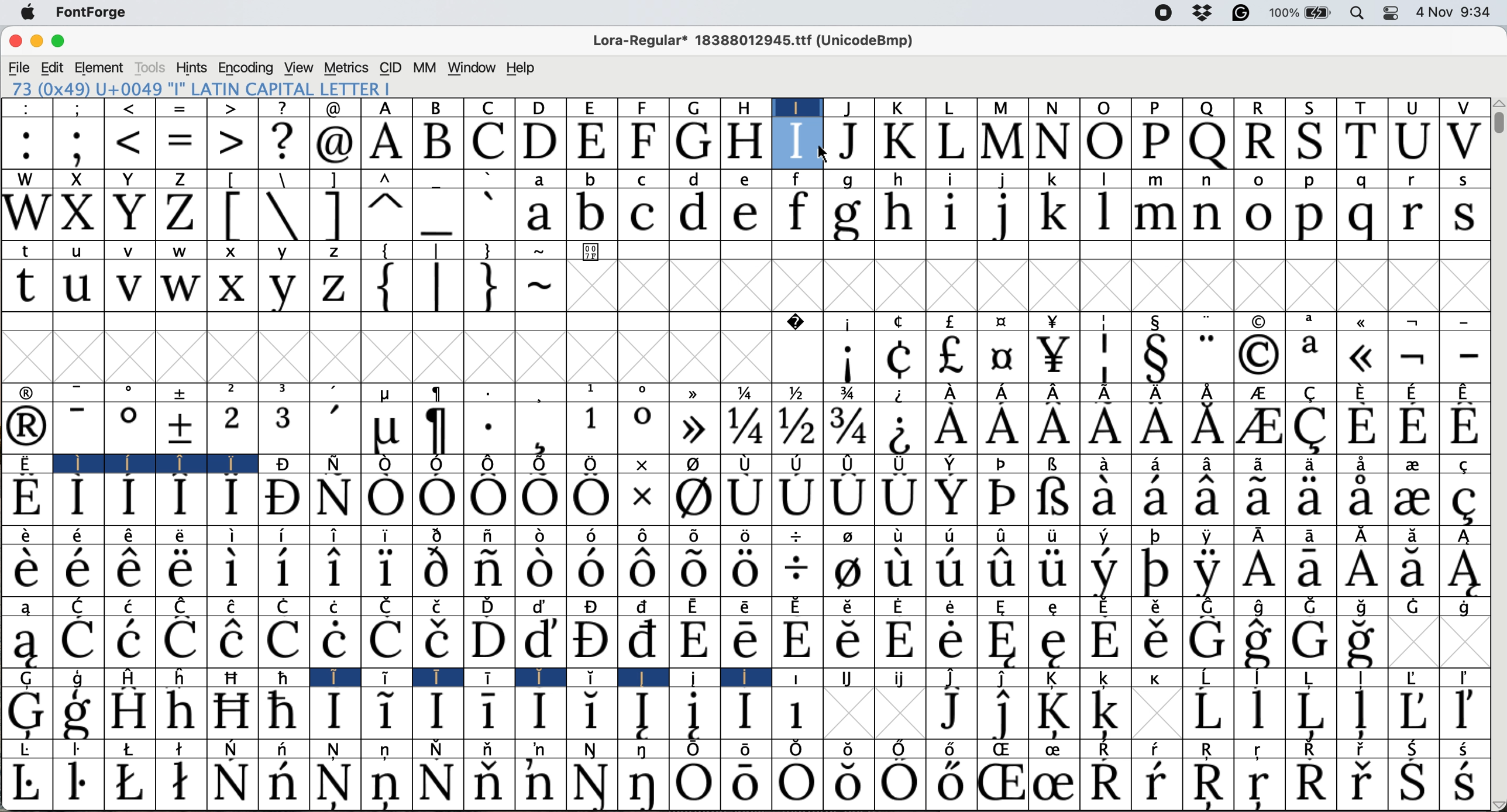 This screenshot has height=812, width=1507. I want to click on Symbol, so click(646, 606).